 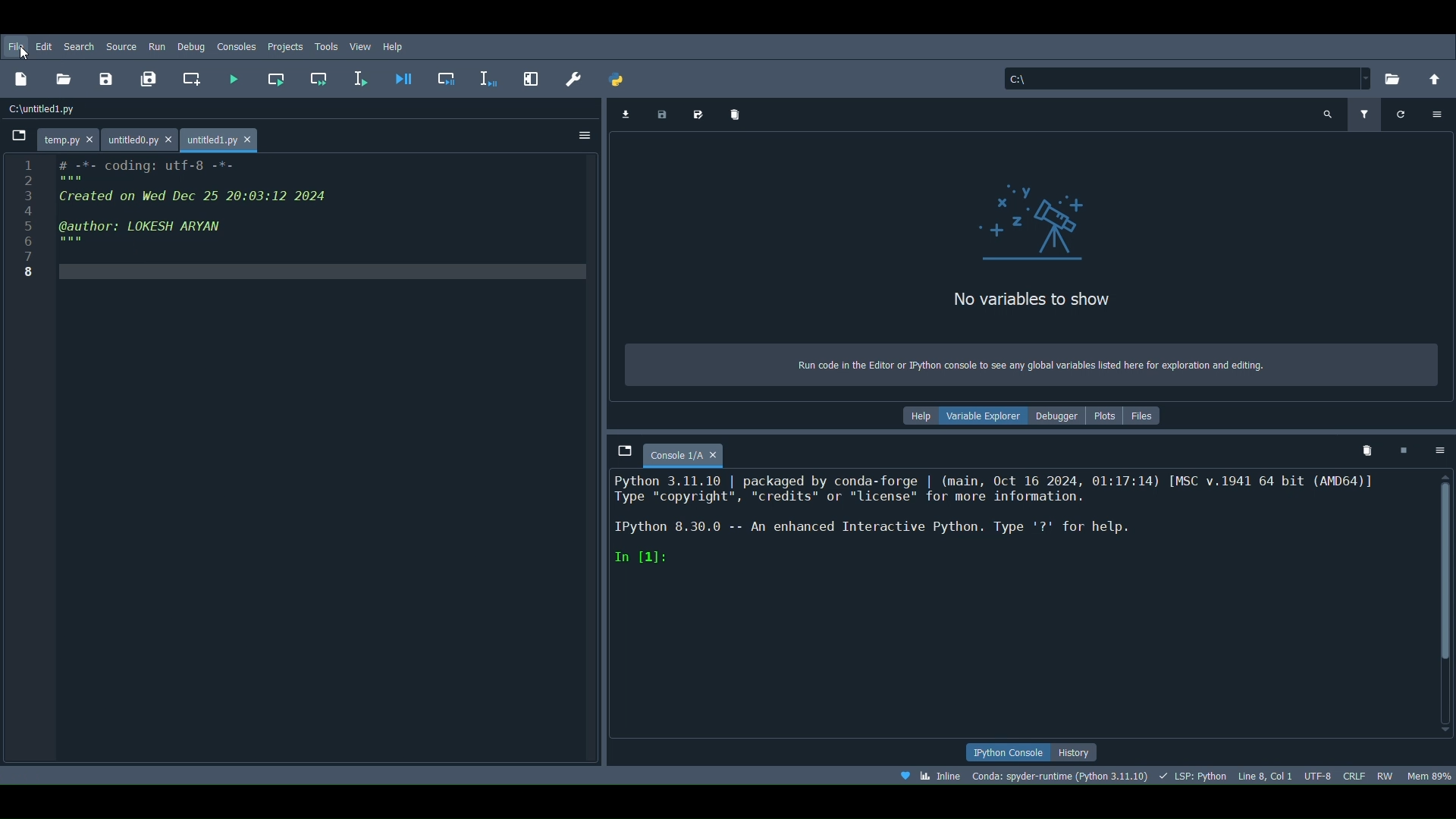 I want to click on File permissions, so click(x=1386, y=773).